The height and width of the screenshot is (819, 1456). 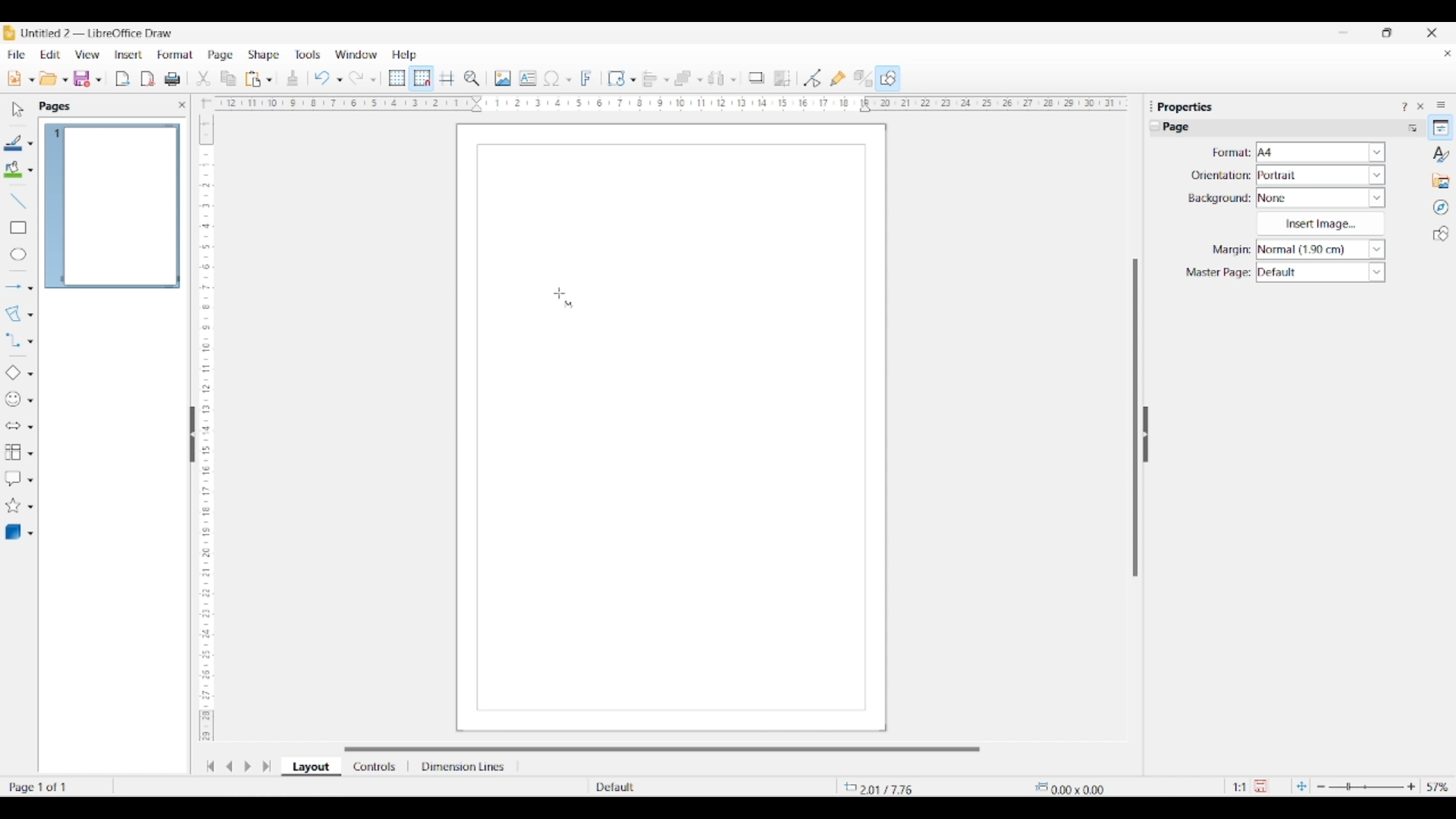 I want to click on Jump to first slide, so click(x=210, y=766).